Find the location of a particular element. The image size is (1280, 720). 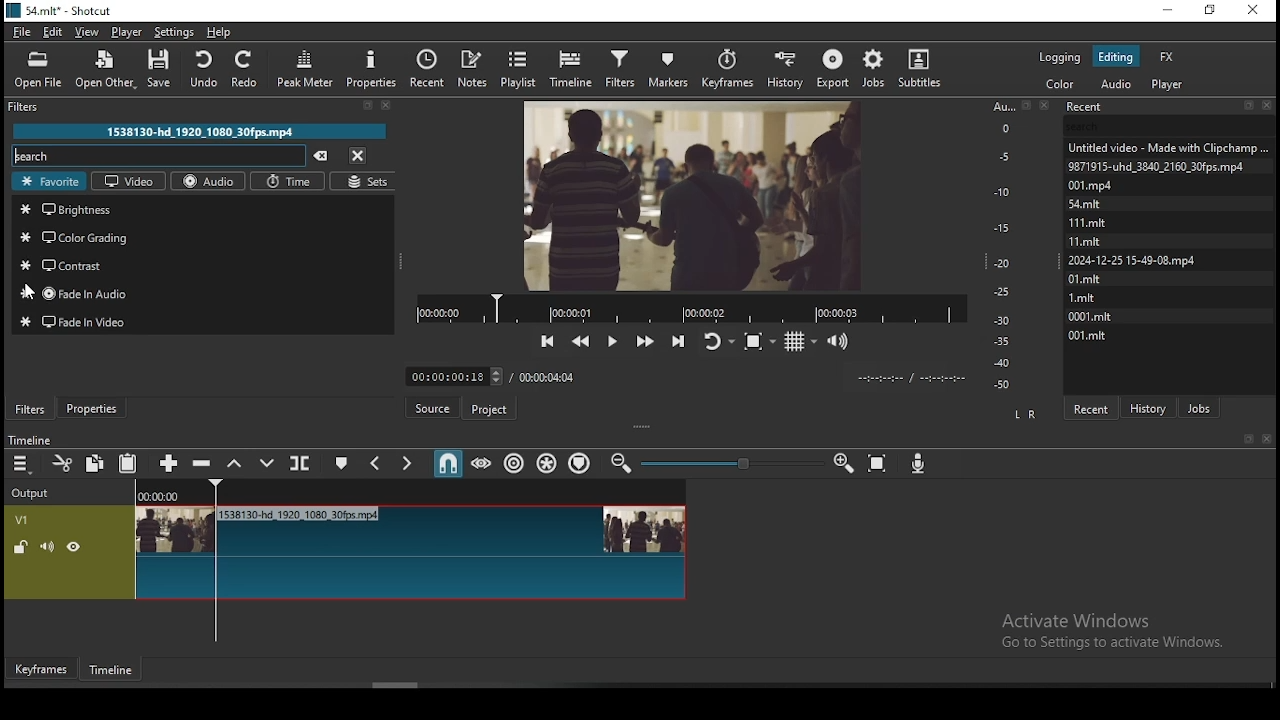

open other is located at coordinates (107, 72).